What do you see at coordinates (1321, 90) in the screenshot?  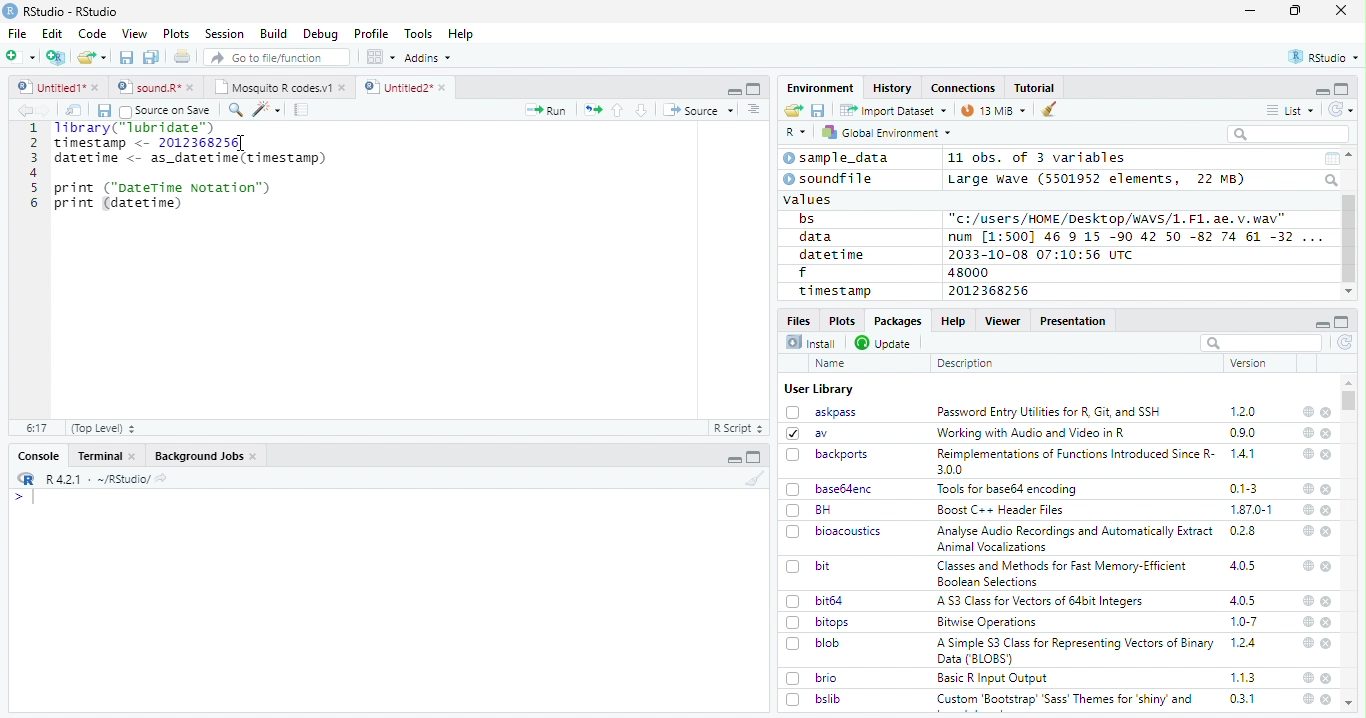 I see `minimize` at bounding box center [1321, 90].